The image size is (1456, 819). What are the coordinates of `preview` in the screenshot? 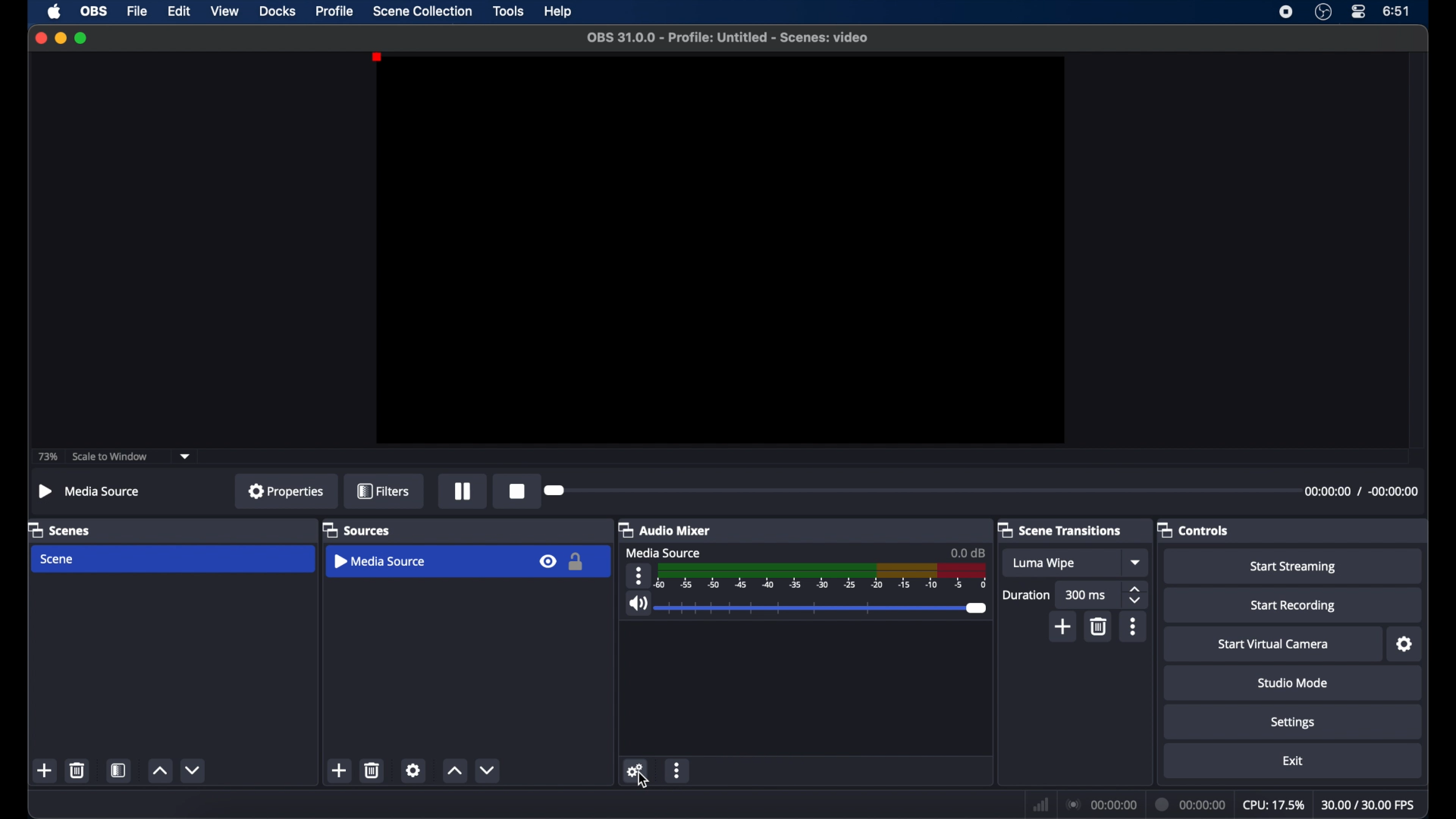 It's located at (720, 250).